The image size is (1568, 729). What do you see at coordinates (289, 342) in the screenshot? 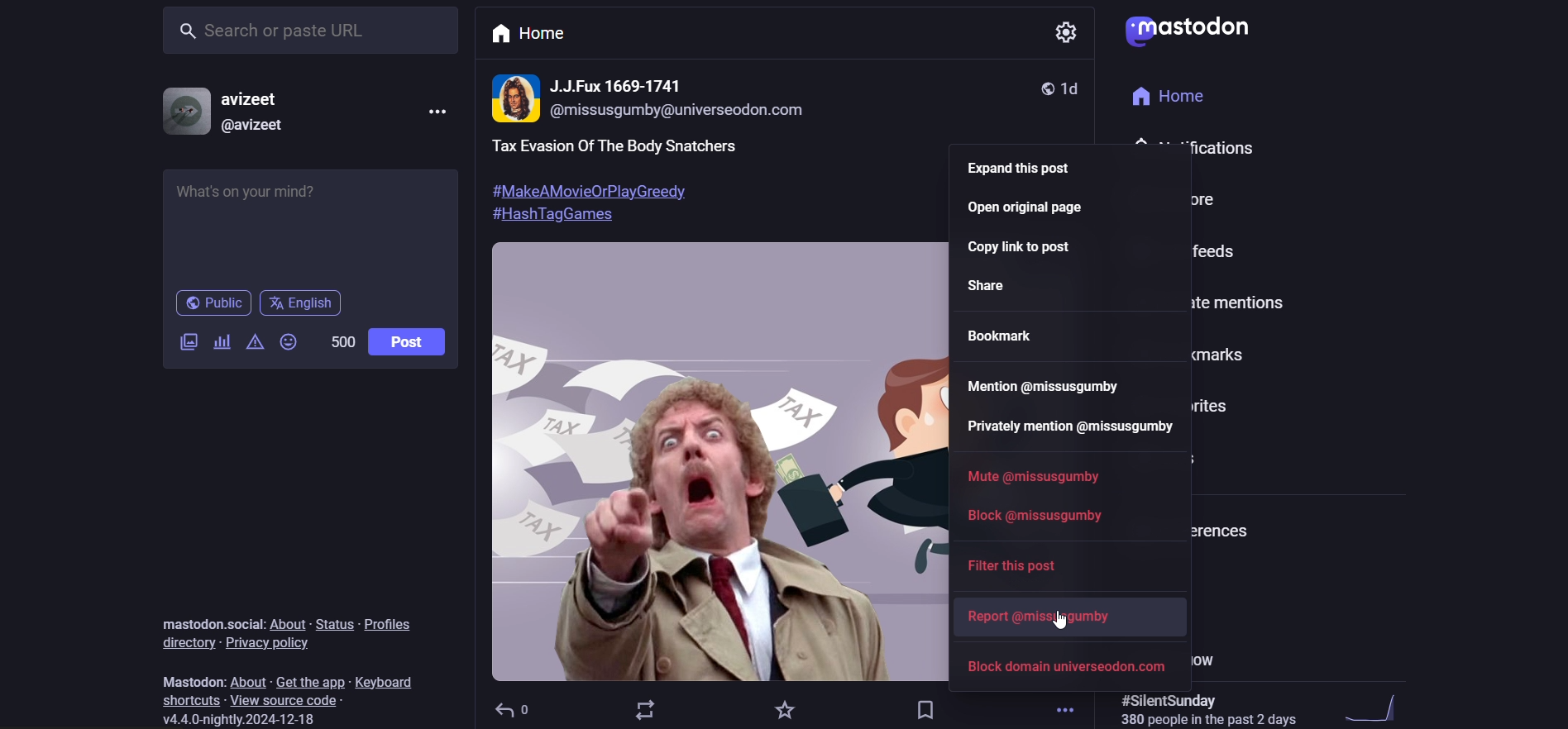
I see `emoji` at bounding box center [289, 342].